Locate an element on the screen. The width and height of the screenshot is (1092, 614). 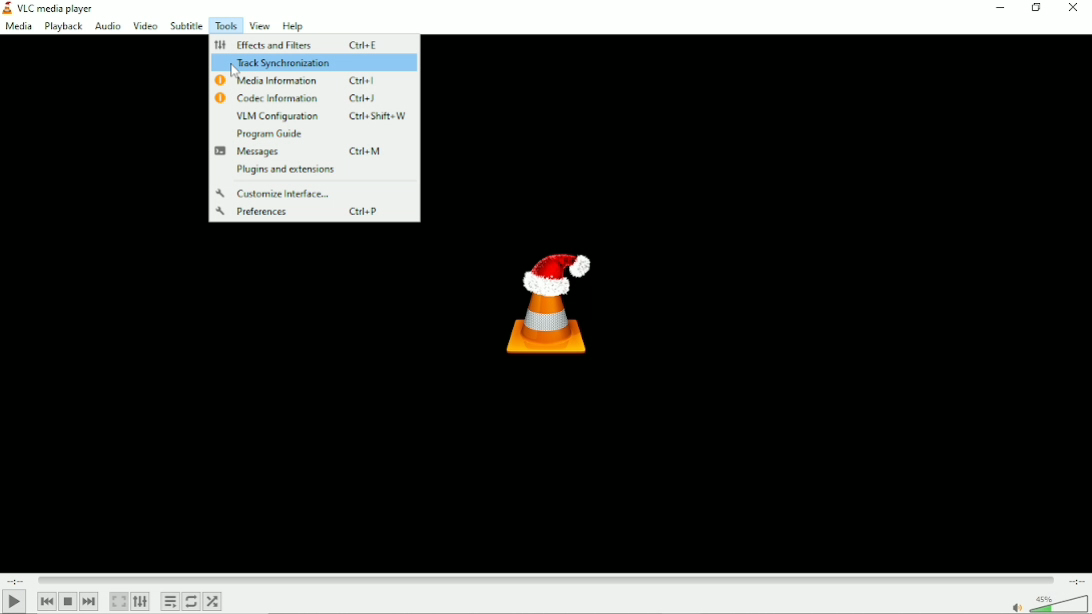
VLM Configuration is located at coordinates (321, 117).